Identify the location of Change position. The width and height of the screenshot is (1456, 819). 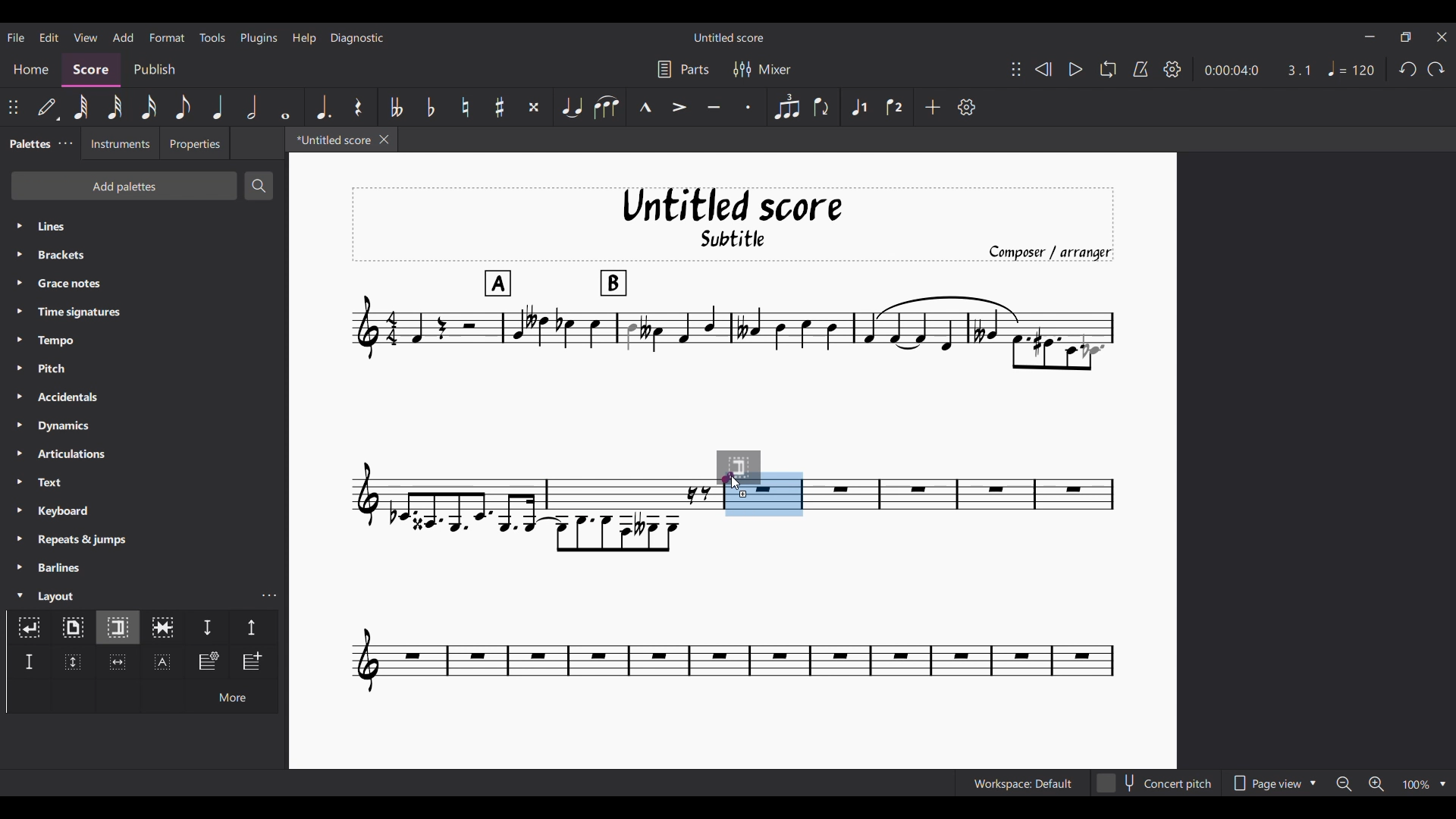
(13, 107).